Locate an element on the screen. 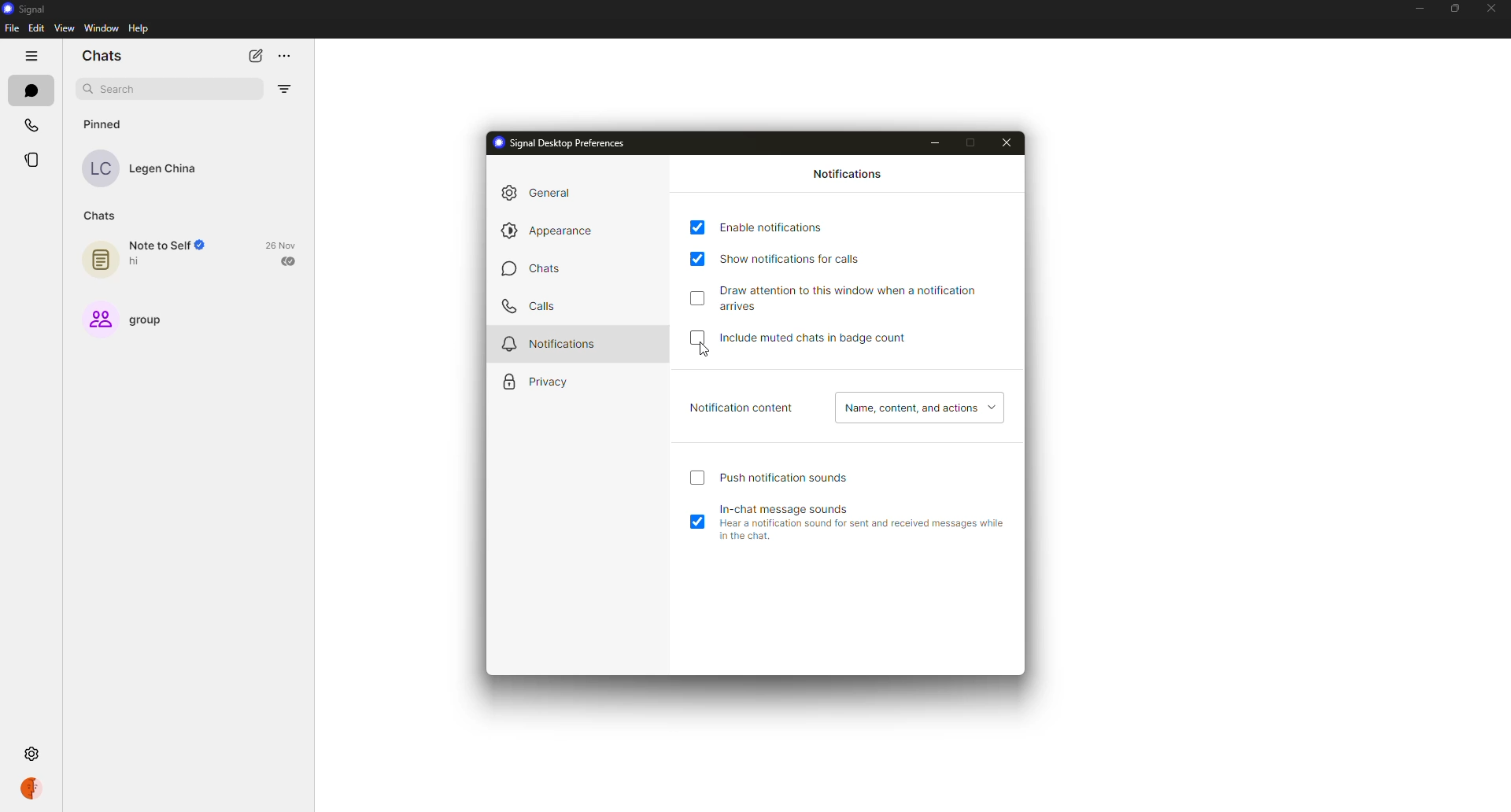  push notification sound is located at coordinates (789, 475).